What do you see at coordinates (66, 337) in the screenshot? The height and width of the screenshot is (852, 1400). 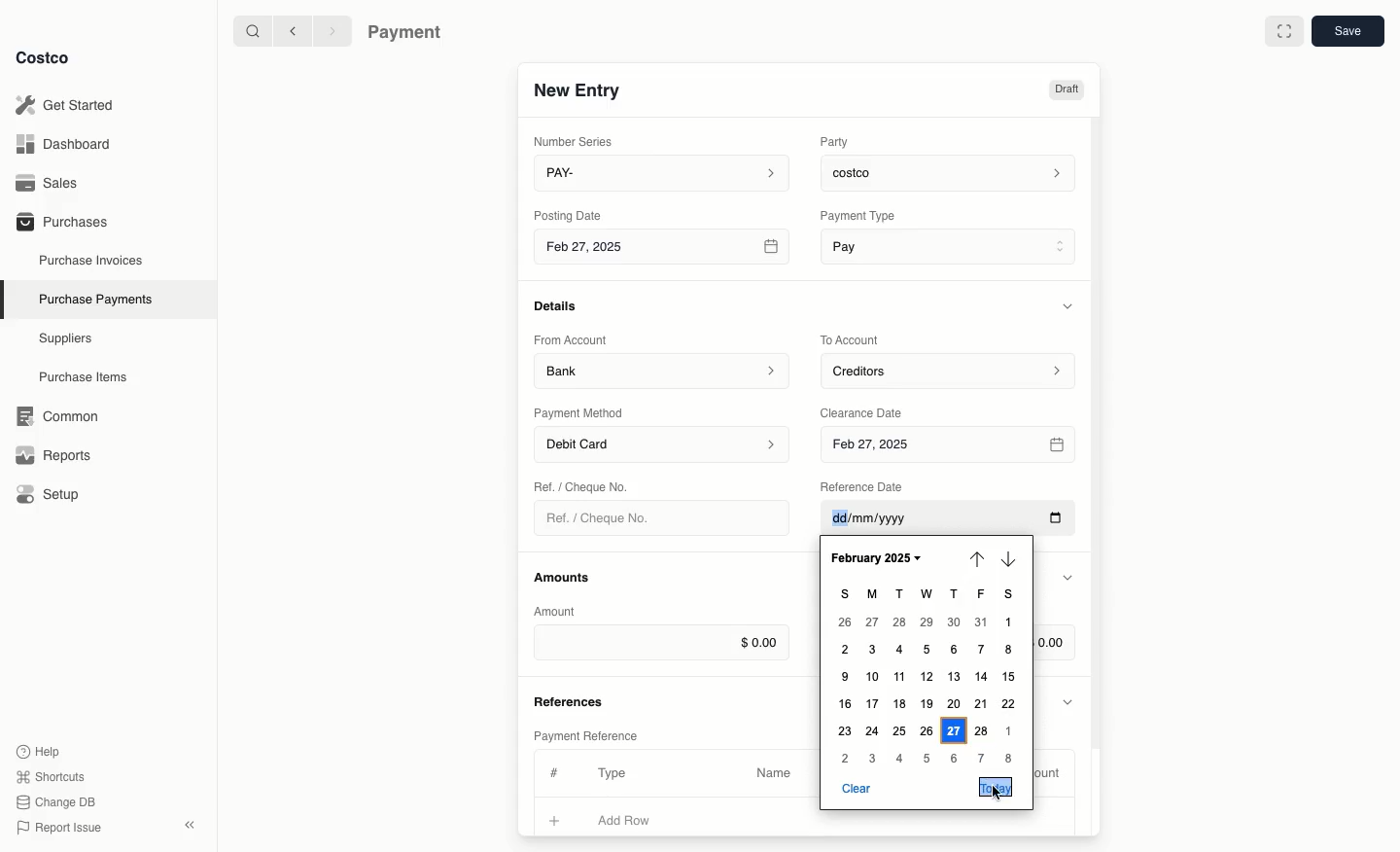 I see `Suppliers` at bounding box center [66, 337].